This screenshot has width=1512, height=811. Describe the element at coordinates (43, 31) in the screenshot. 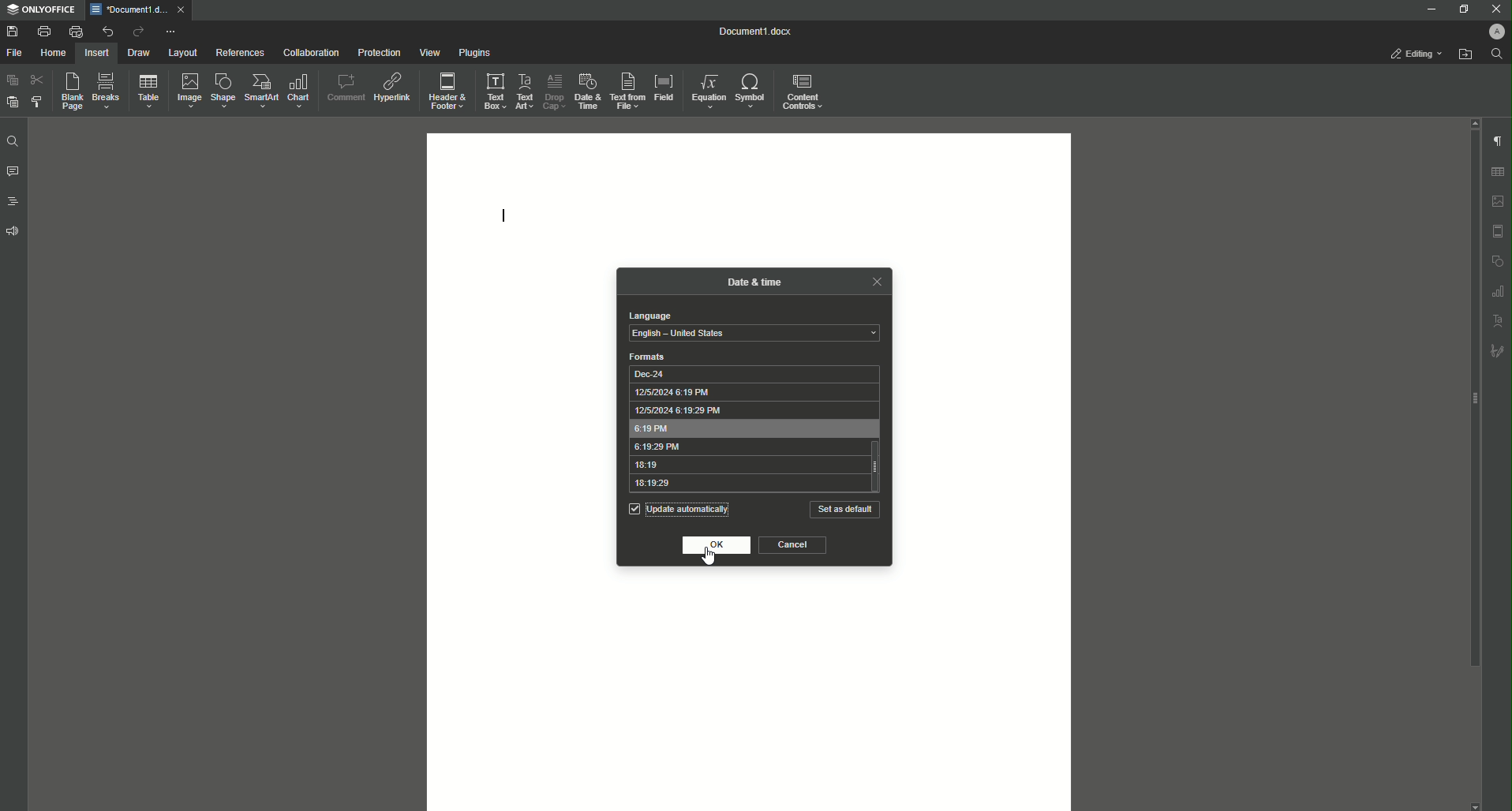

I see `Print` at that location.